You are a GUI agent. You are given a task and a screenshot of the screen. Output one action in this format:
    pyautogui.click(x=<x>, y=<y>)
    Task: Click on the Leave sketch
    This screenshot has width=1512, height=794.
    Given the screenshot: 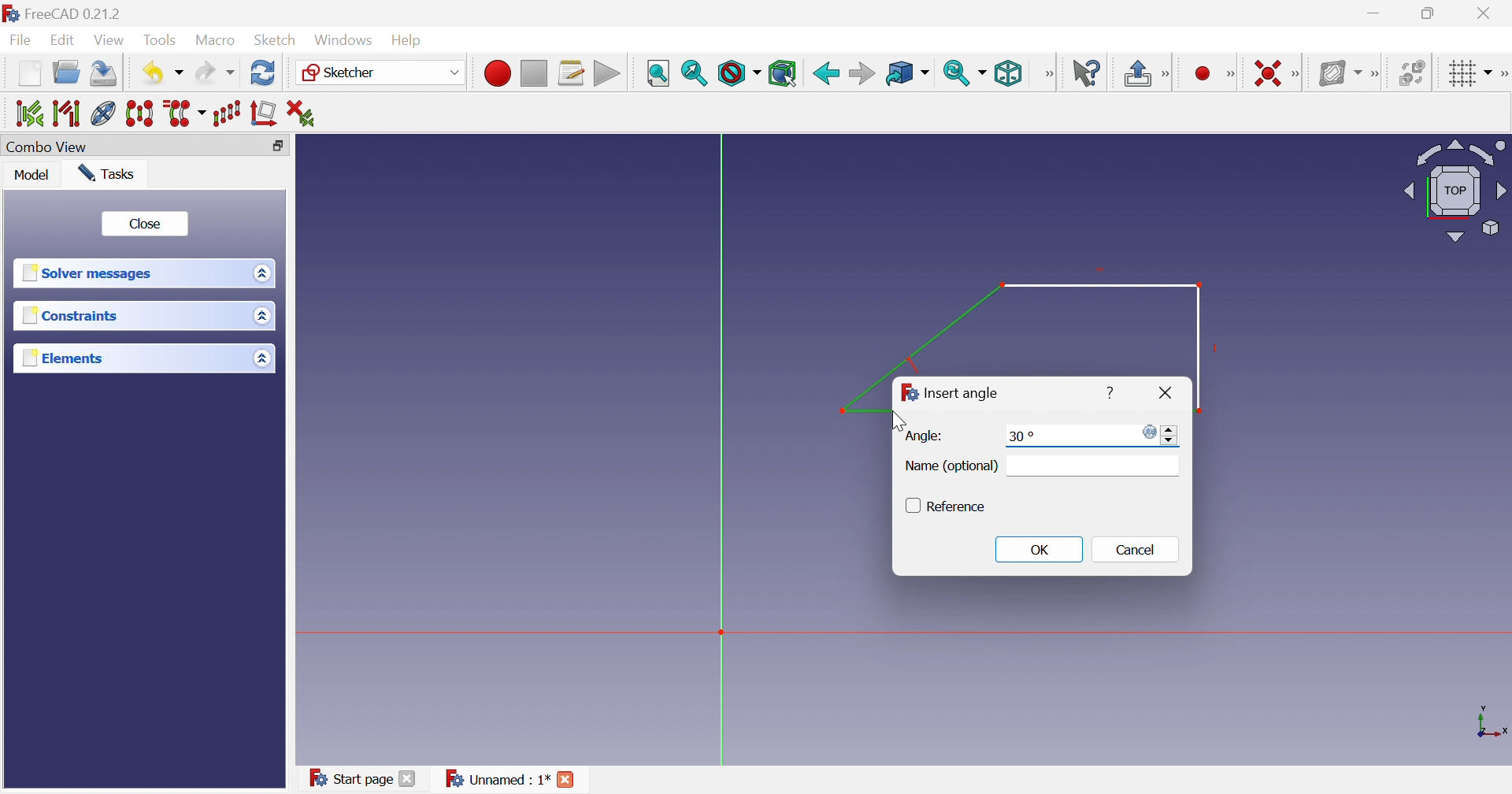 What is the action you would take?
    pyautogui.click(x=1136, y=75)
    